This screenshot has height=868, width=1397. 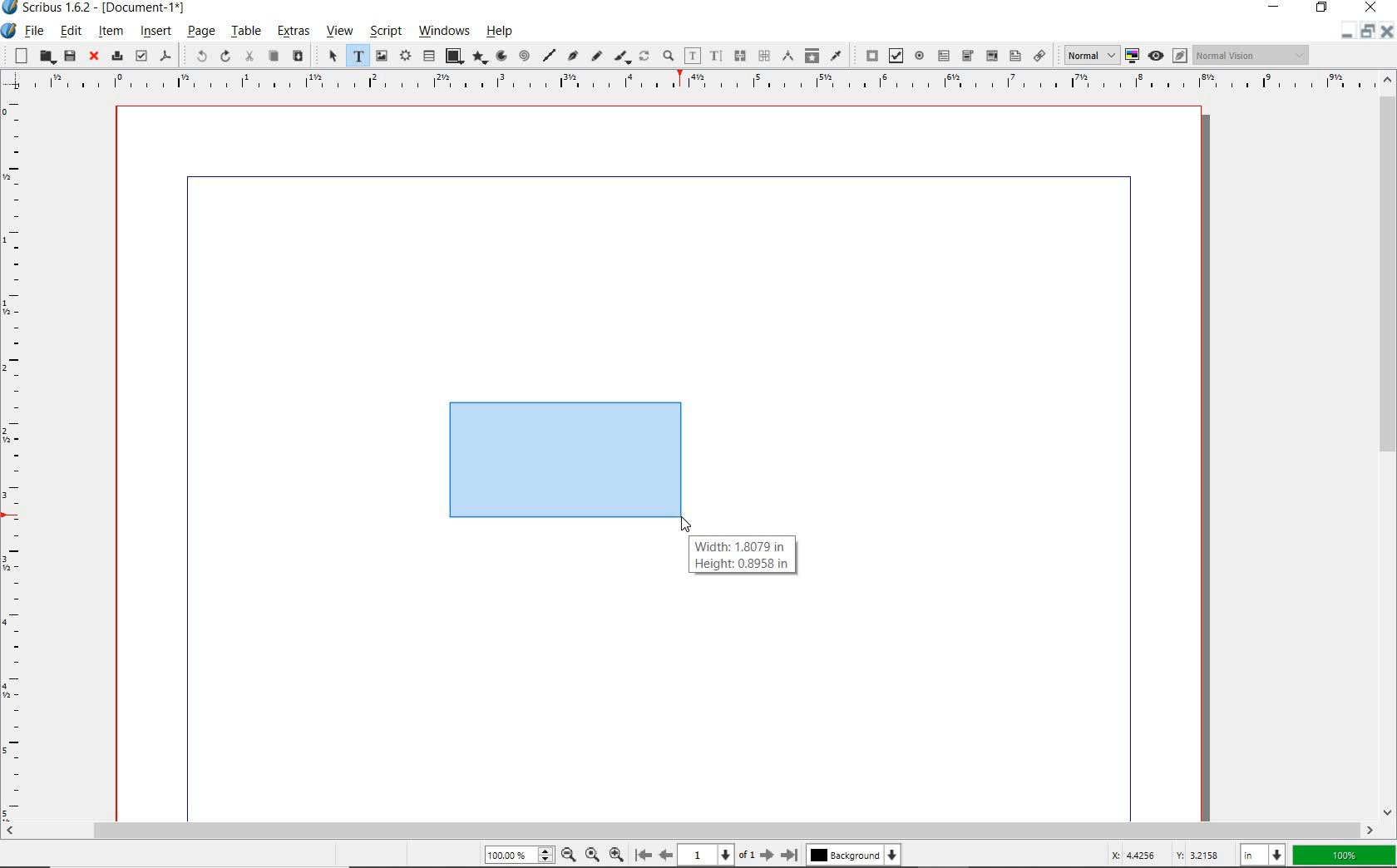 What do you see at coordinates (116, 57) in the screenshot?
I see `print` at bounding box center [116, 57].